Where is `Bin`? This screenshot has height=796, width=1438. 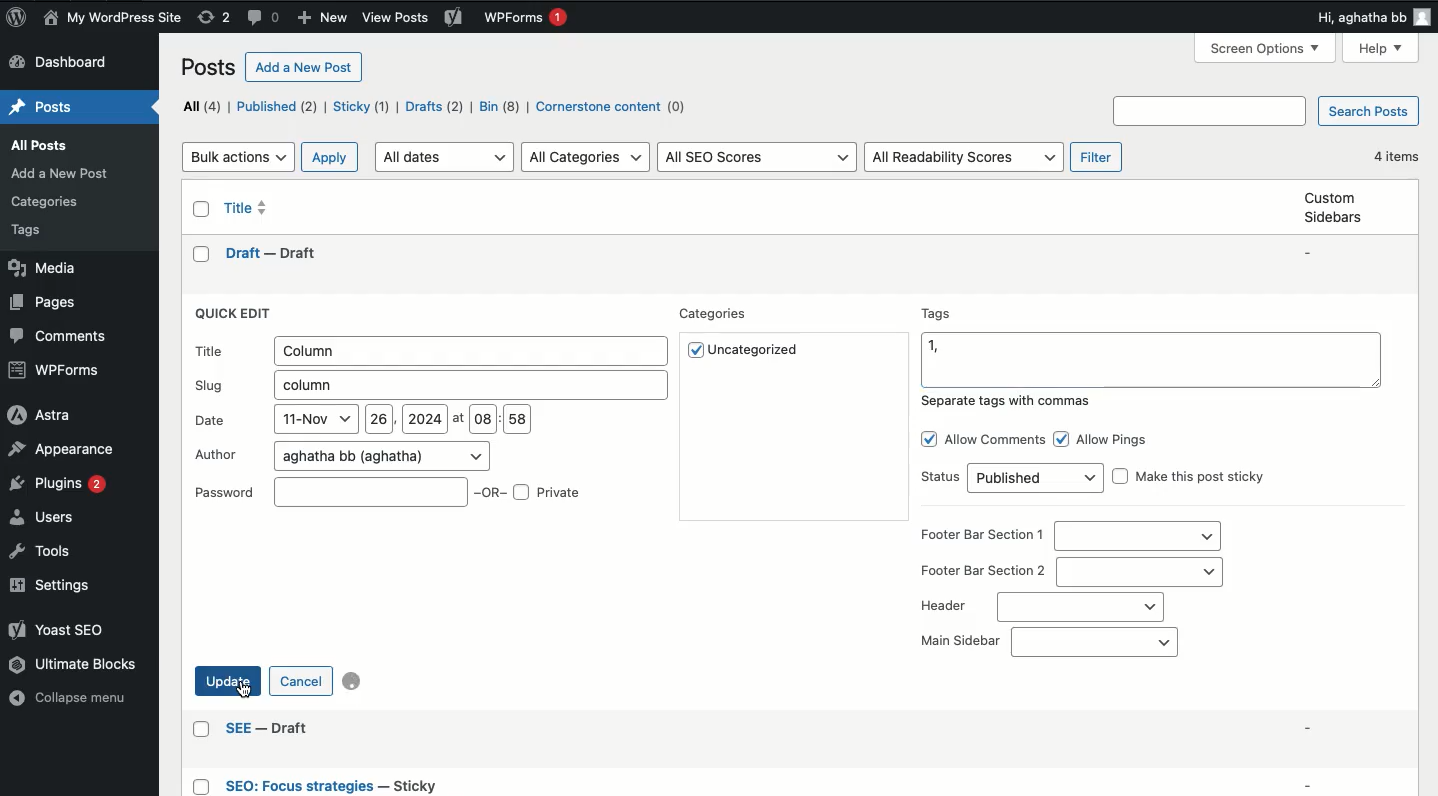
Bin is located at coordinates (500, 108).